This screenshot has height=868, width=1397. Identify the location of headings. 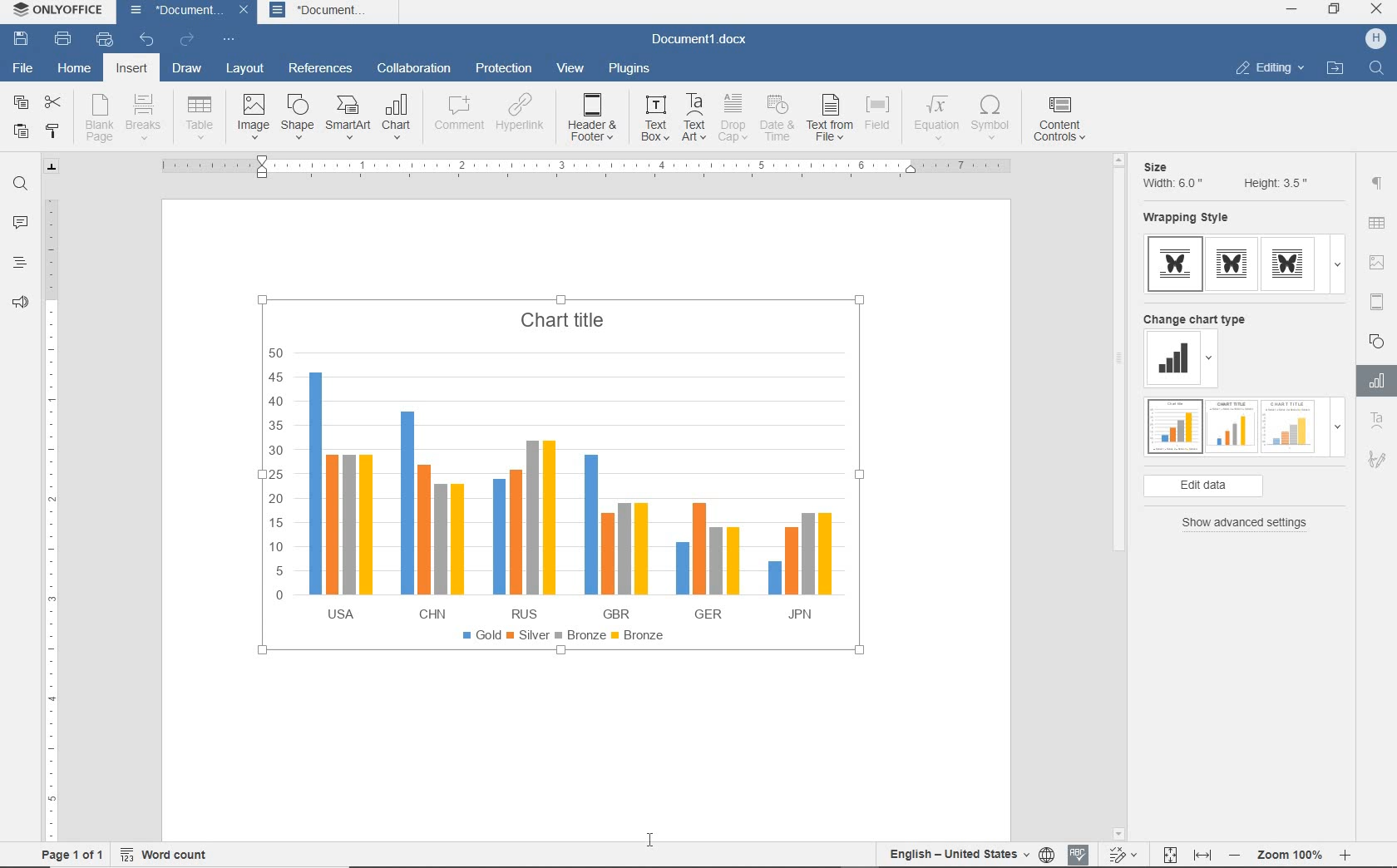
(18, 264).